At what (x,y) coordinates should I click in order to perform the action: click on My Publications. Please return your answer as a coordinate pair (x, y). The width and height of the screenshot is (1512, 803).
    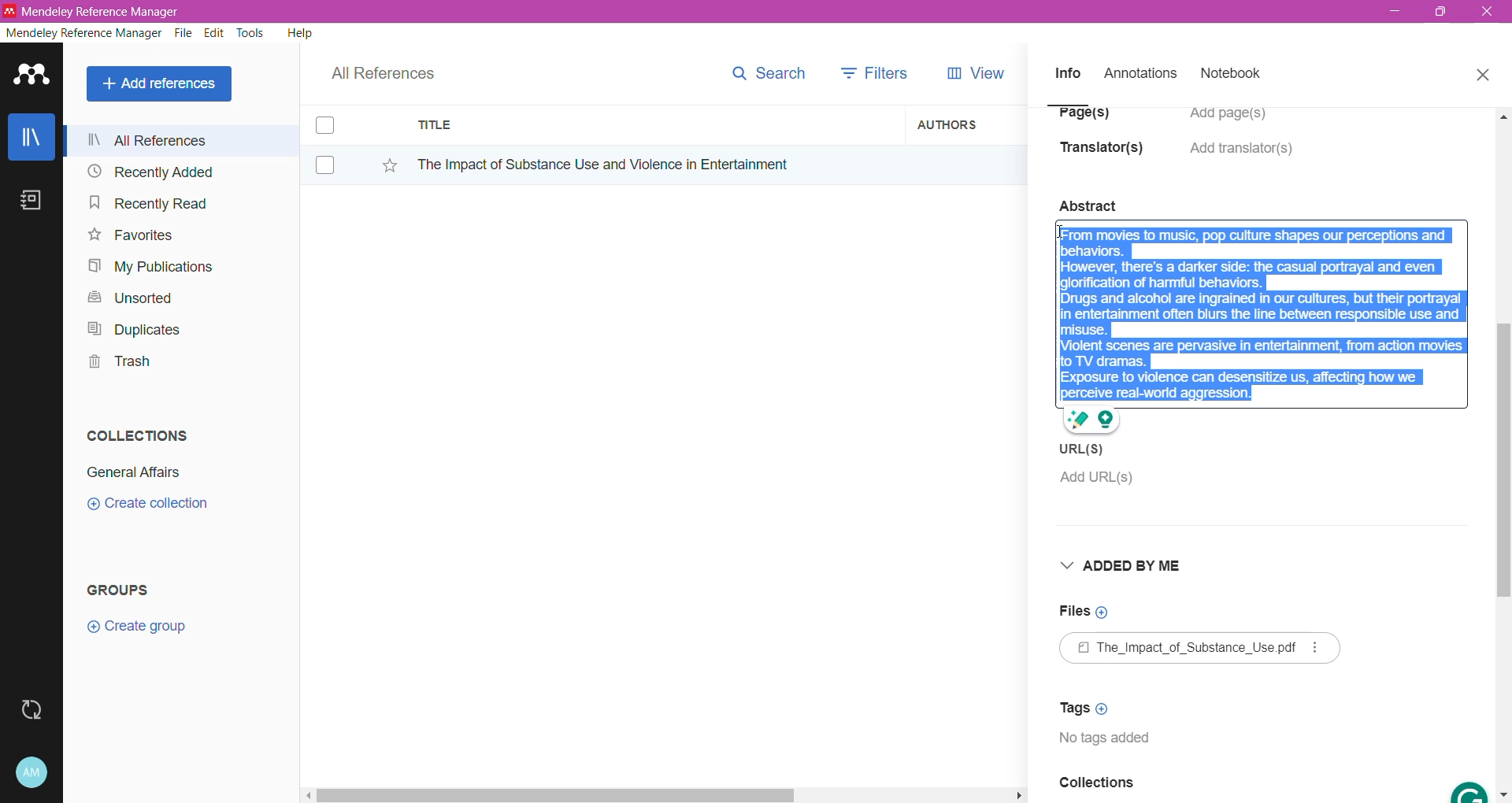
    Looking at the image, I should click on (149, 267).